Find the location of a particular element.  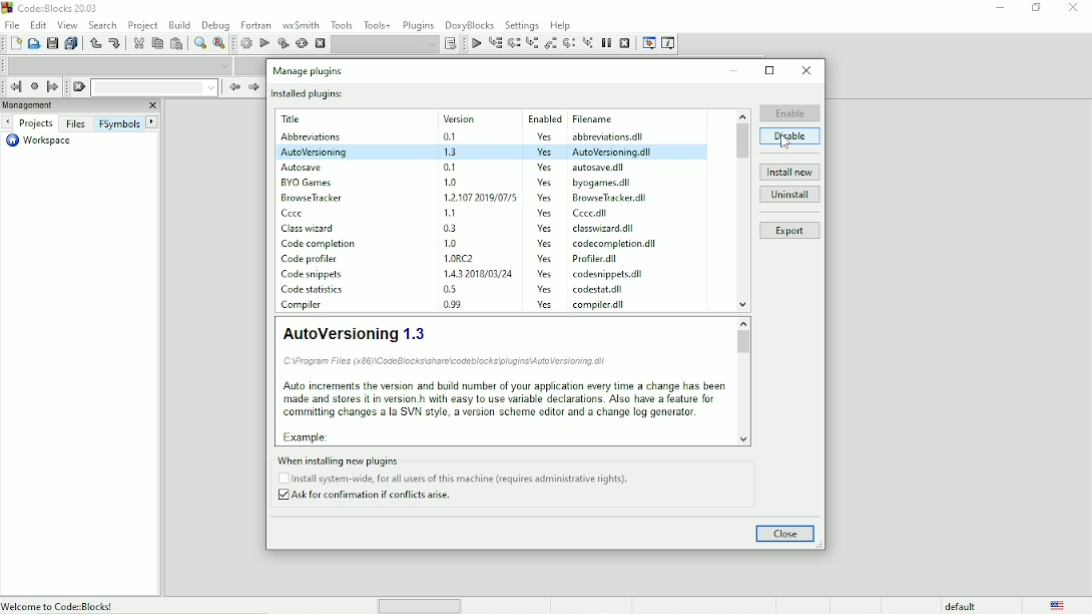

Clear is located at coordinates (78, 87).